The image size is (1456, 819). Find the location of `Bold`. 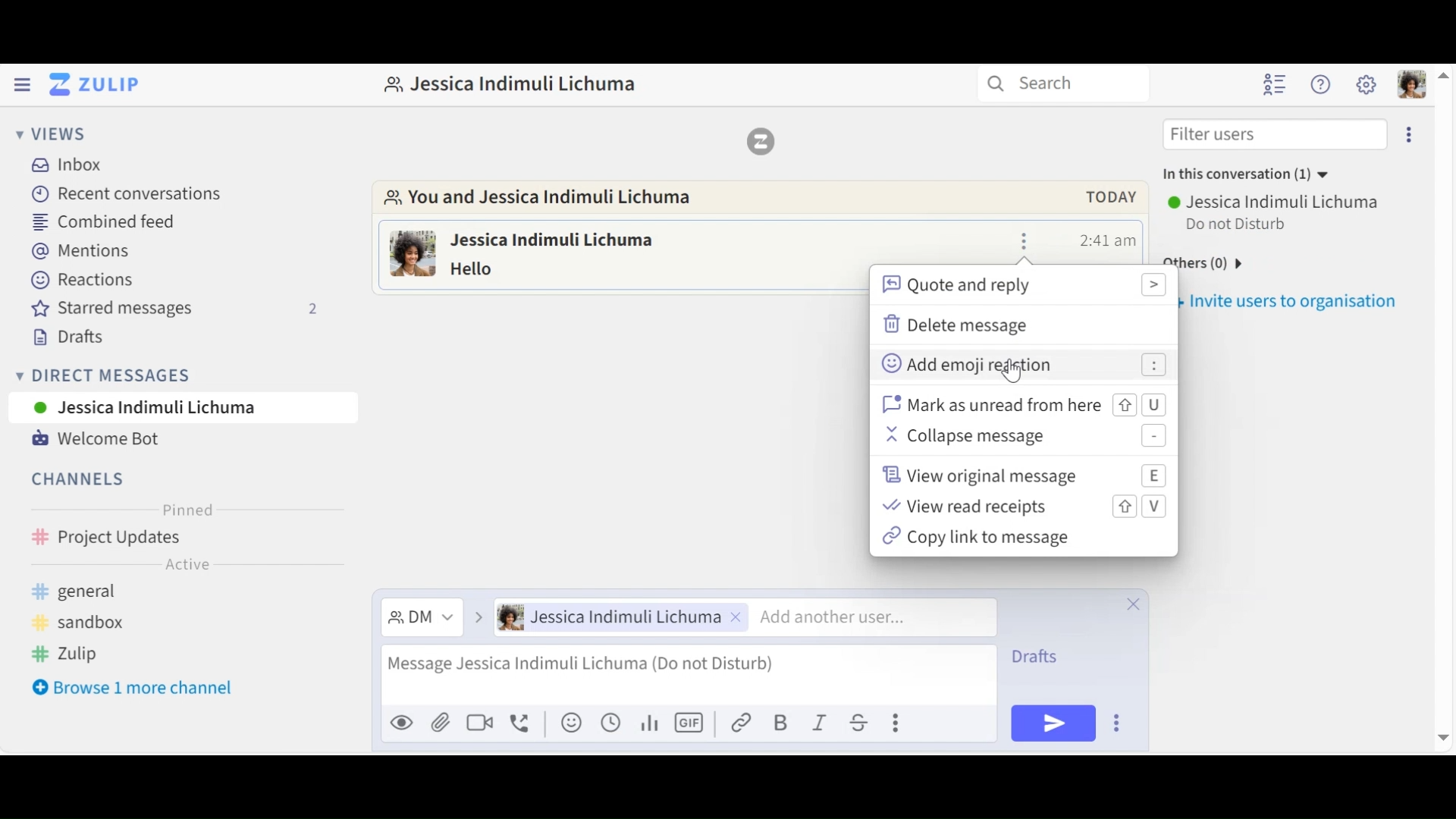

Bold is located at coordinates (781, 722).